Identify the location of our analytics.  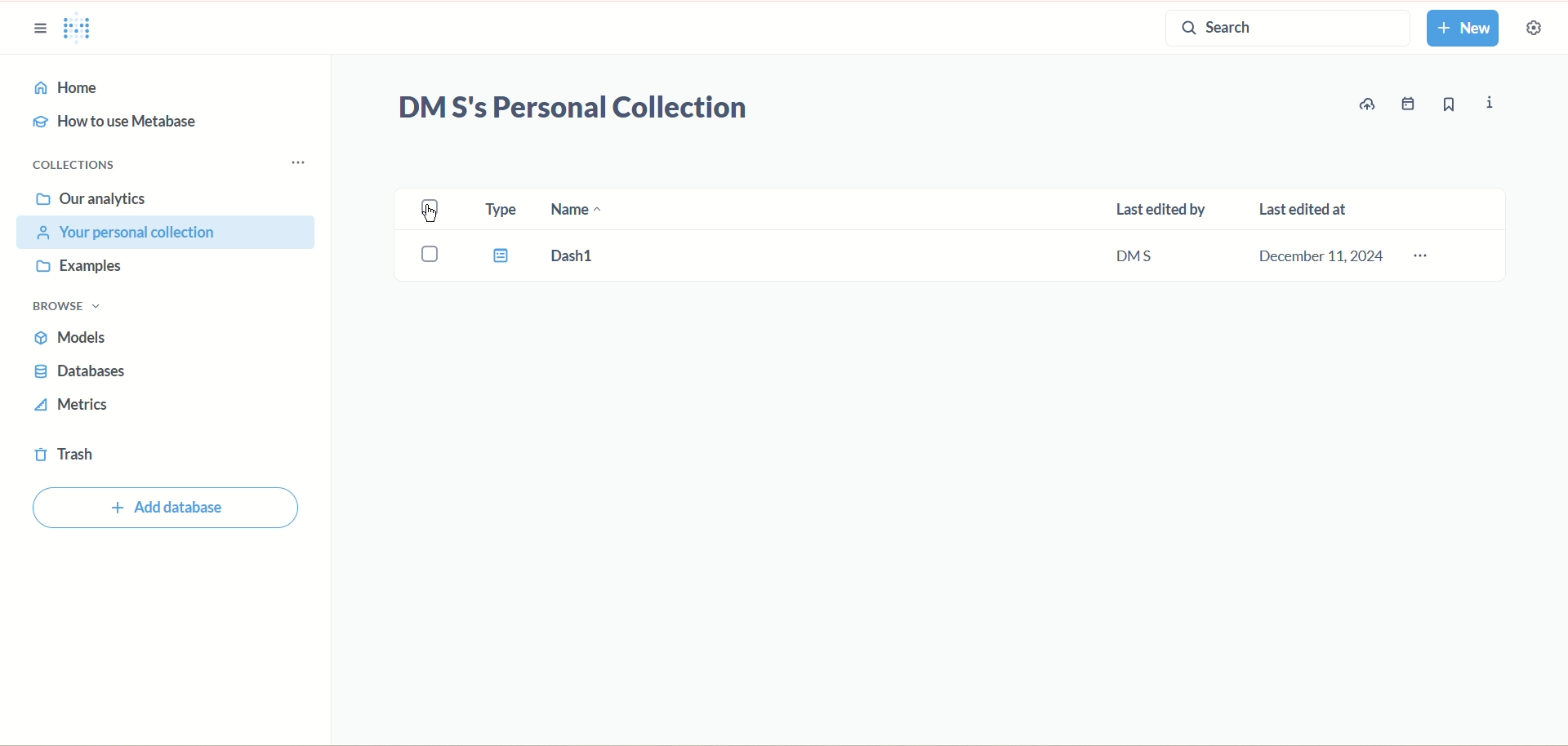
(96, 198).